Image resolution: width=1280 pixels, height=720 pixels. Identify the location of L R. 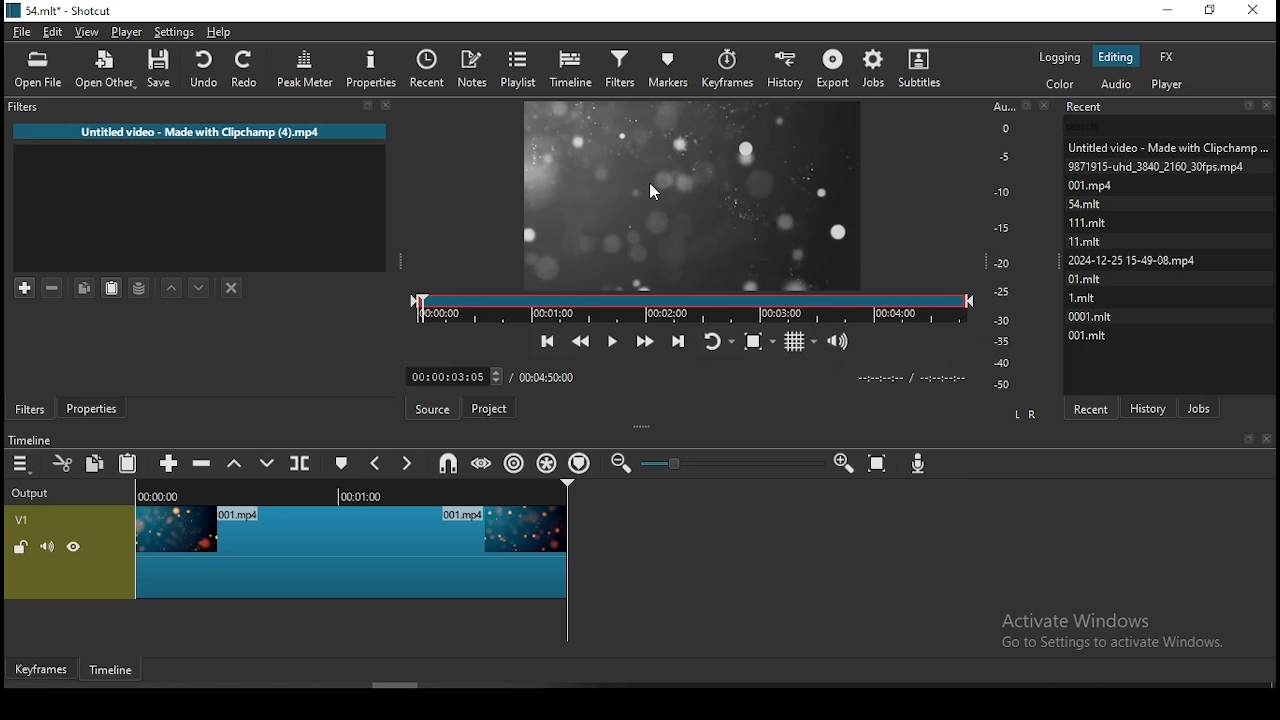
(1026, 413).